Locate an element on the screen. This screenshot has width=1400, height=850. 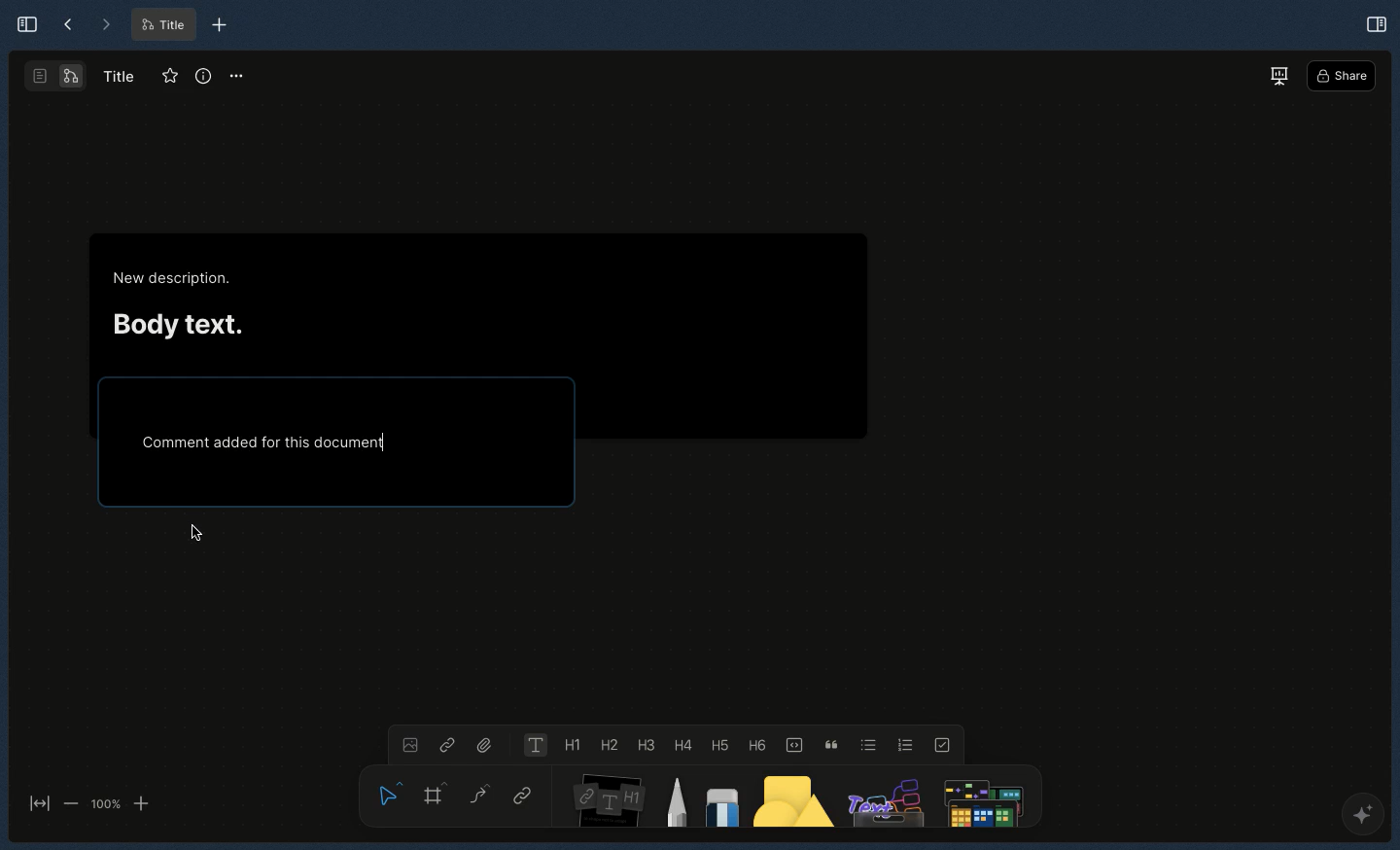
New description. is located at coordinates (174, 279).